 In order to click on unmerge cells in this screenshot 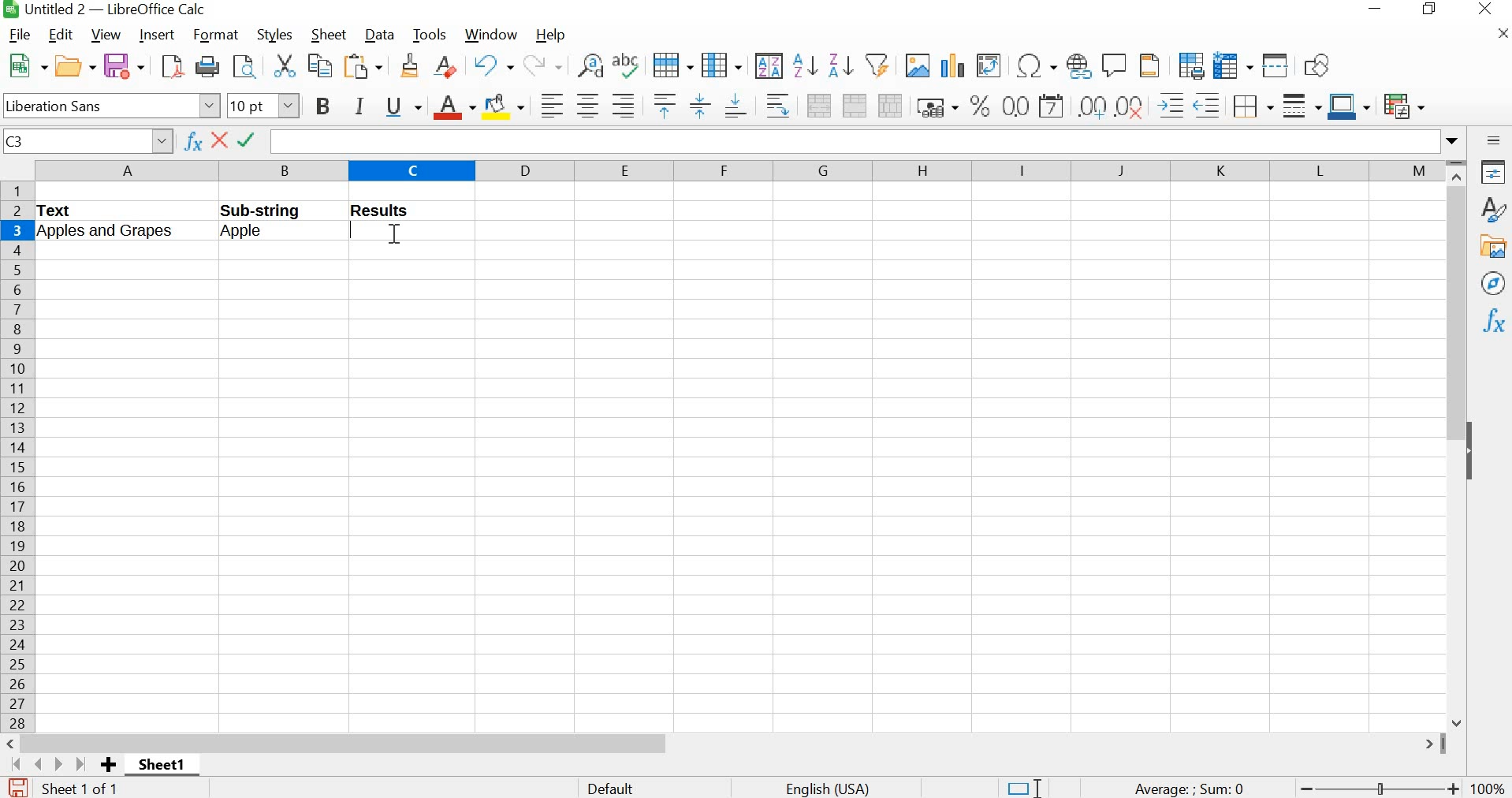, I will do `click(891, 105)`.